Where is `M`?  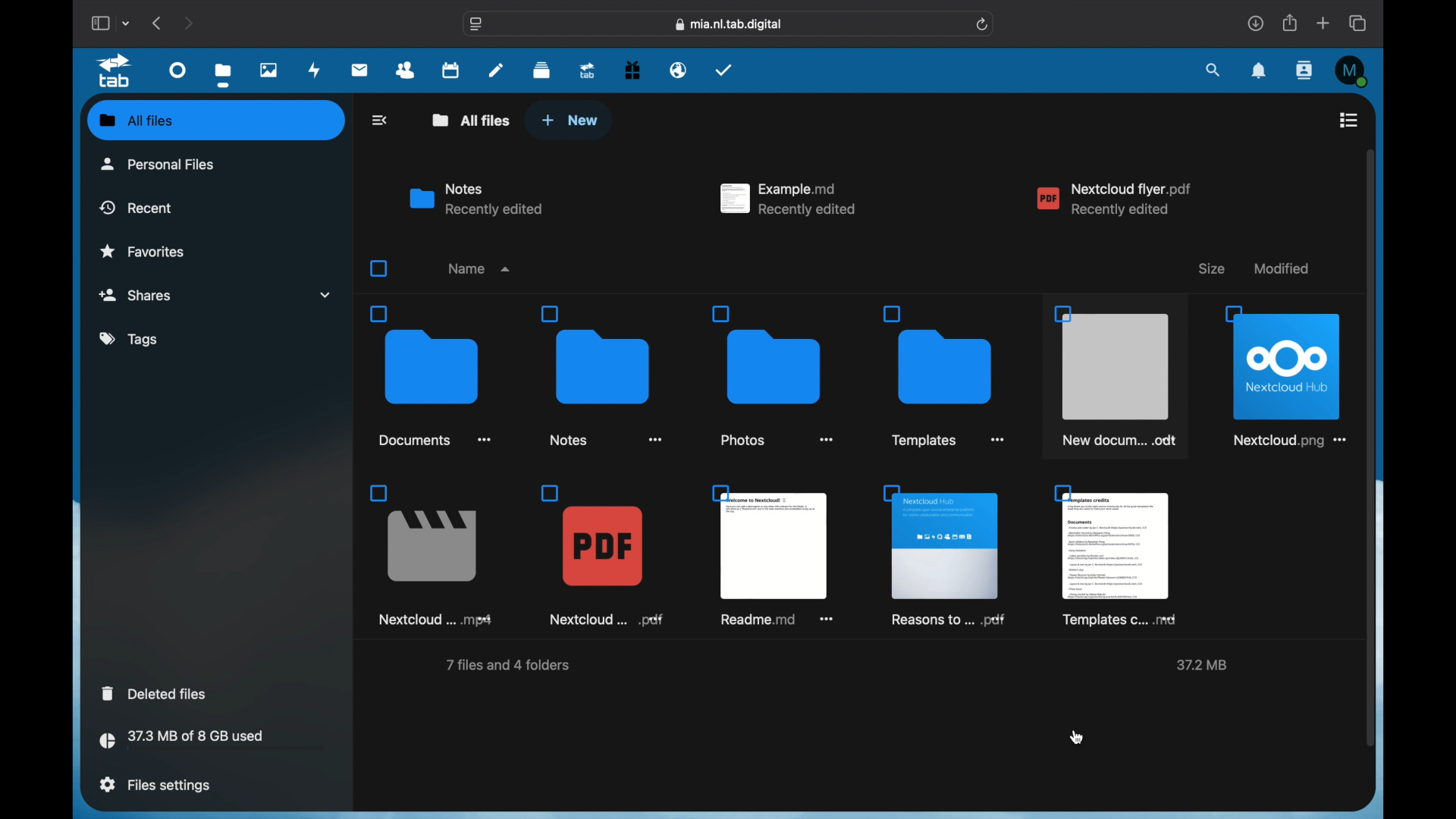
M is located at coordinates (1353, 71).